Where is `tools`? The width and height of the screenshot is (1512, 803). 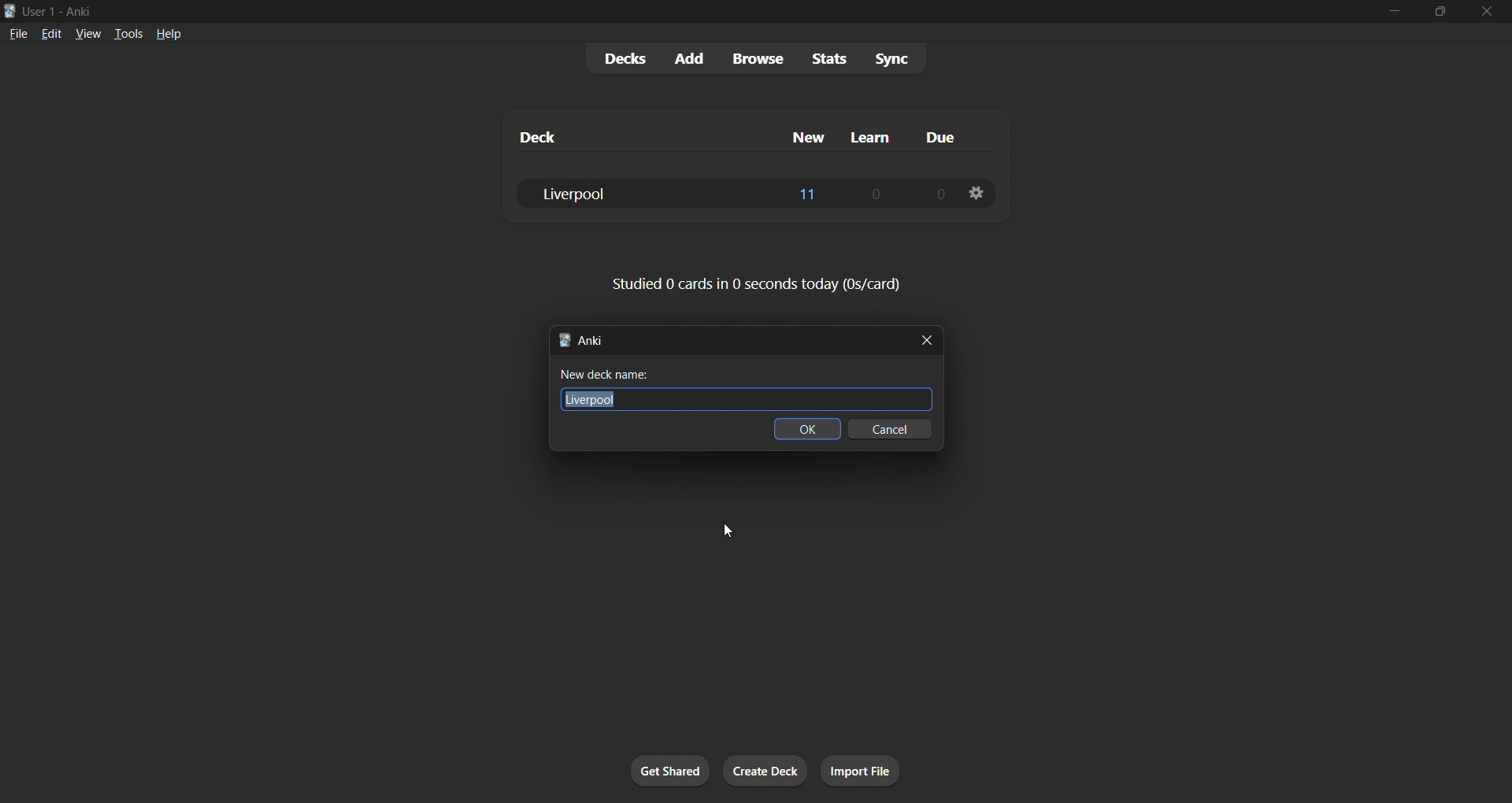
tools is located at coordinates (128, 35).